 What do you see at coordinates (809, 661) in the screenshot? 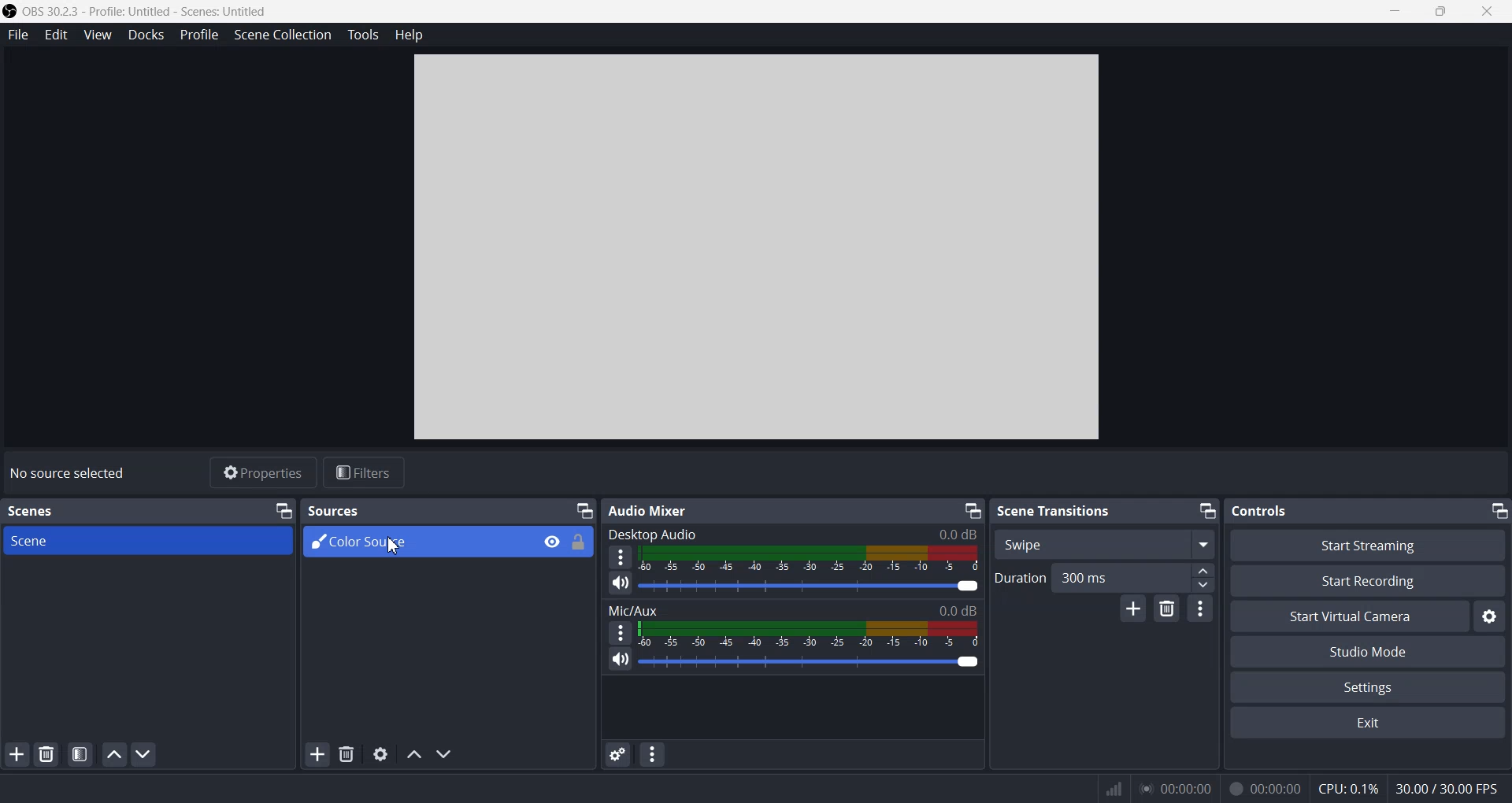
I see `Volume Adjuster` at bounding box center [809, 661].